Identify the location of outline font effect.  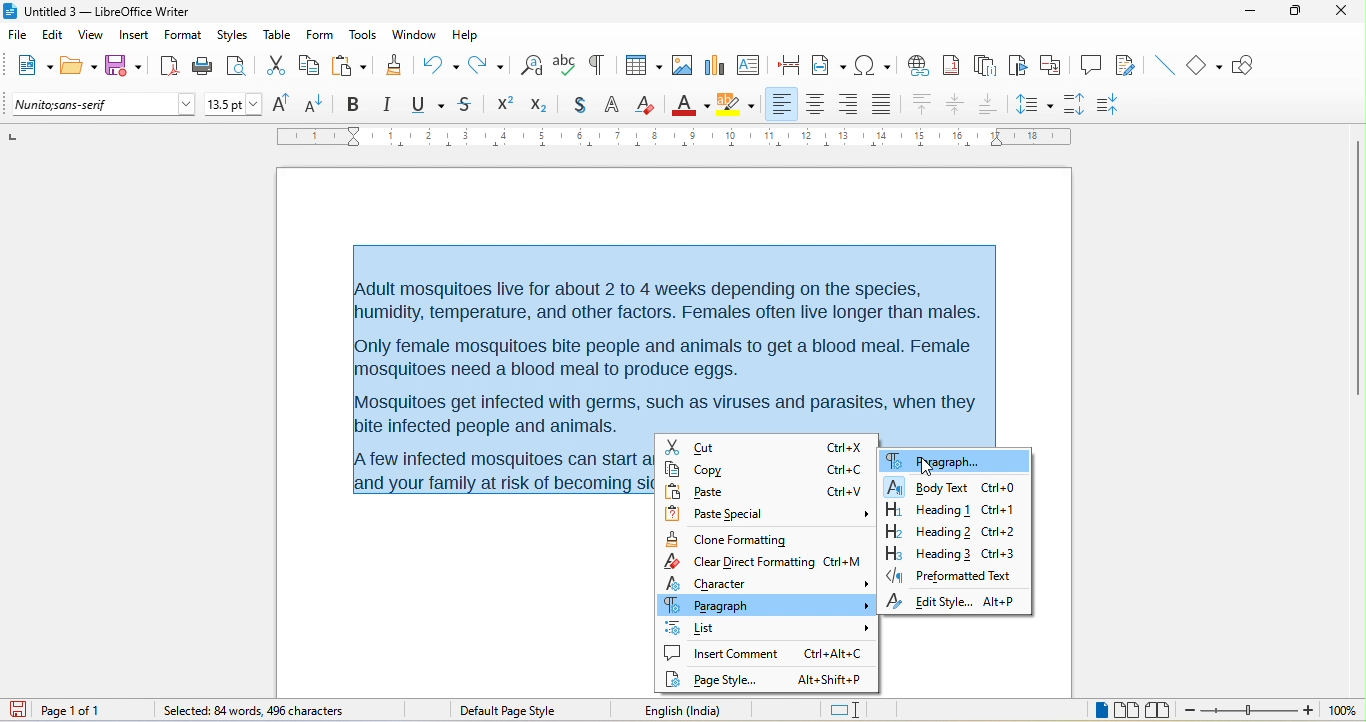
(613, 106).